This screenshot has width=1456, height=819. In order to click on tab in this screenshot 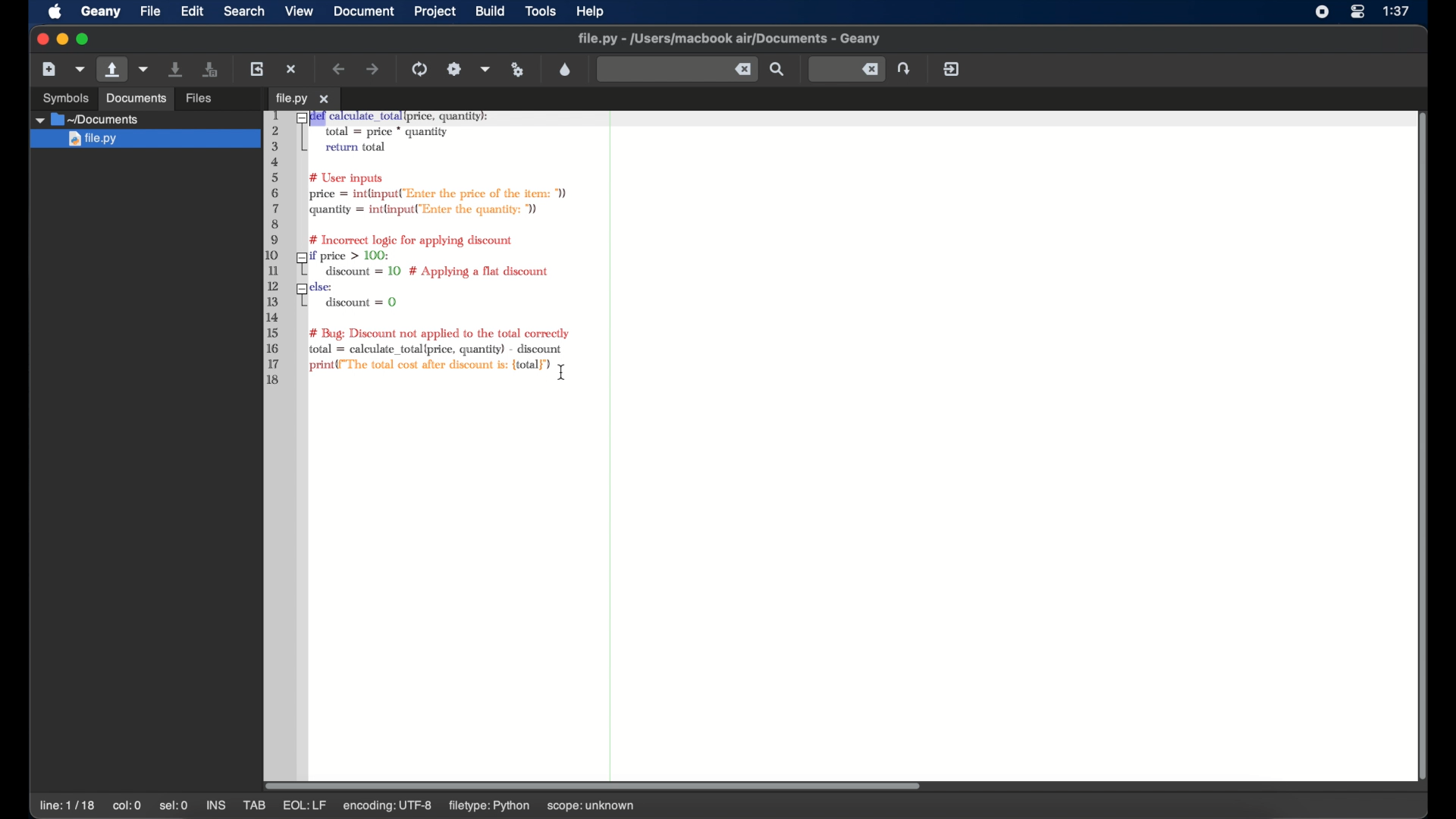, I will do `click(255, 805)`.